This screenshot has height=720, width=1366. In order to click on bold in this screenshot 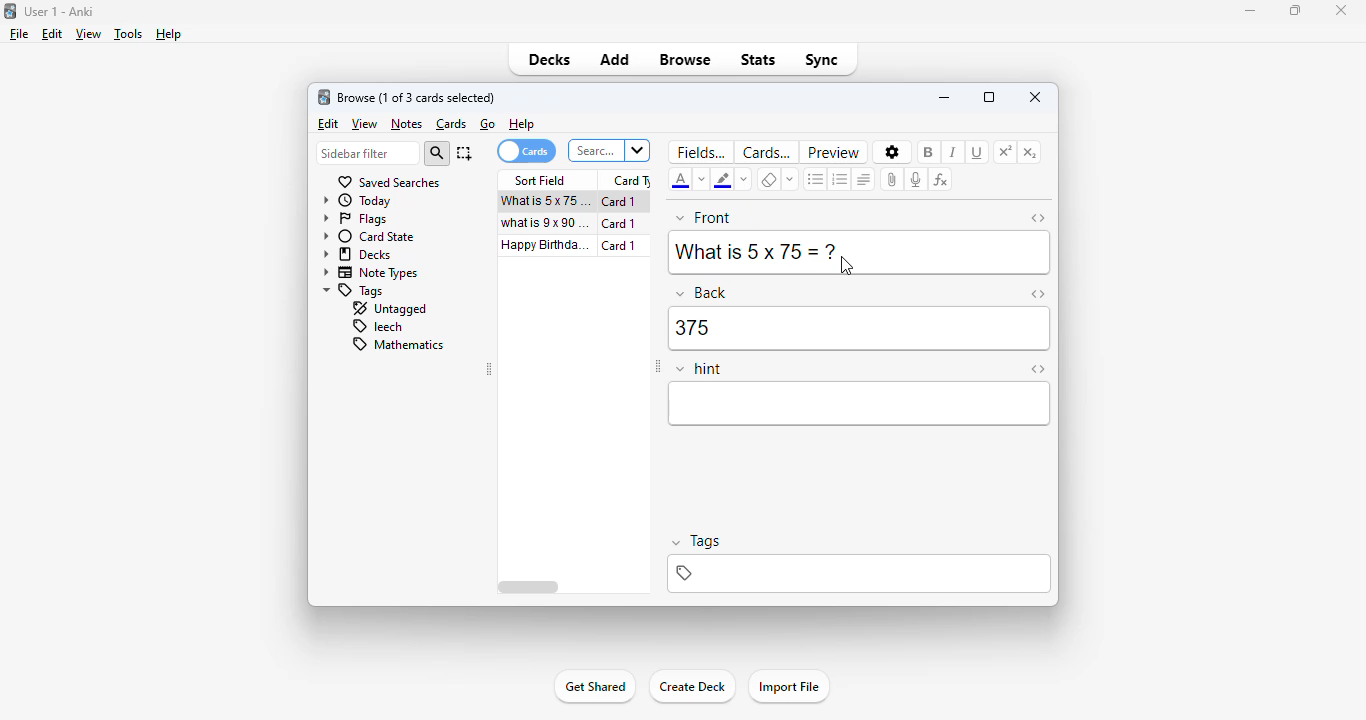, I will do `click(929, 152)`.